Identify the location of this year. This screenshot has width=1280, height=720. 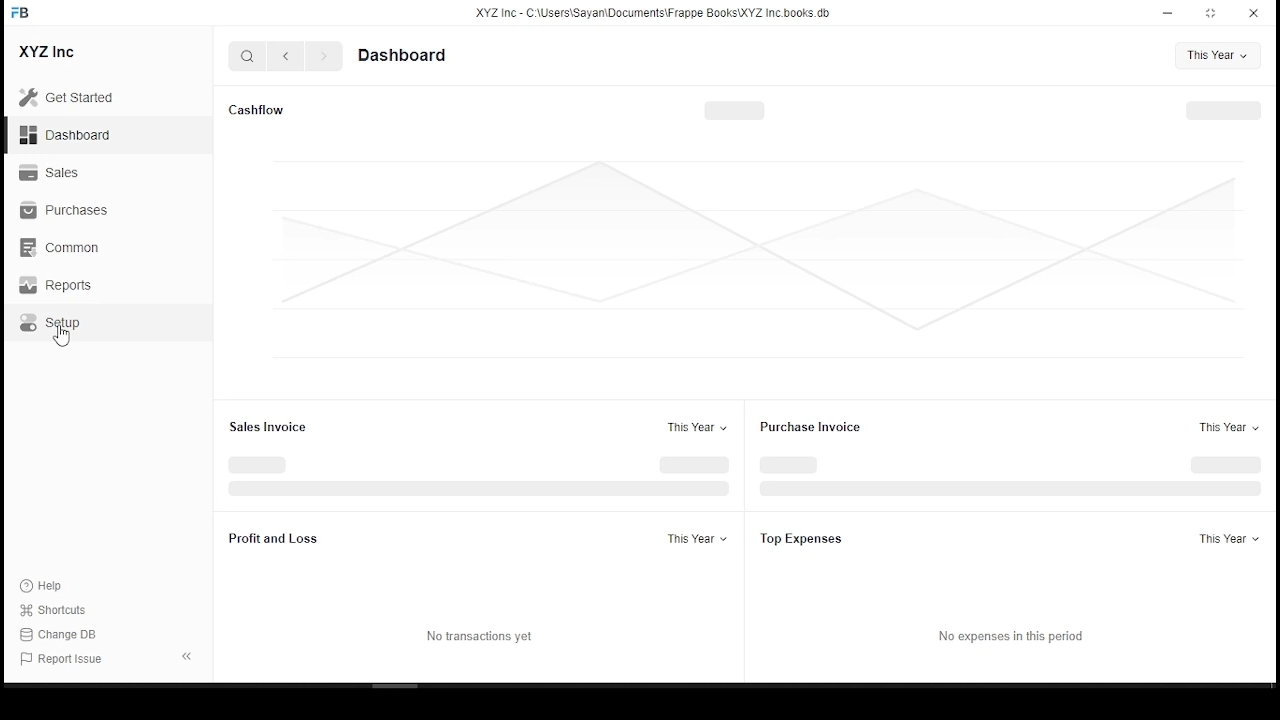
(1223, 427).